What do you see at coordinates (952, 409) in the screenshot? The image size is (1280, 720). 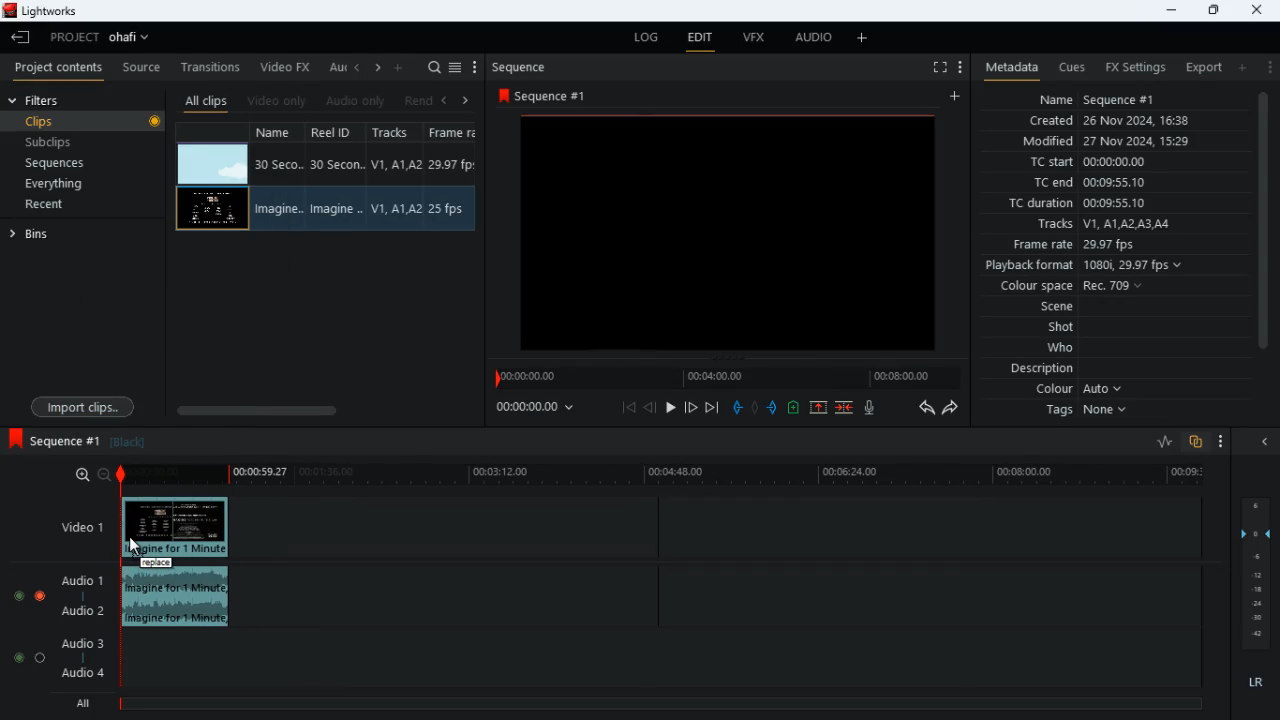 I see `forward` at bounding box center [952, 409].